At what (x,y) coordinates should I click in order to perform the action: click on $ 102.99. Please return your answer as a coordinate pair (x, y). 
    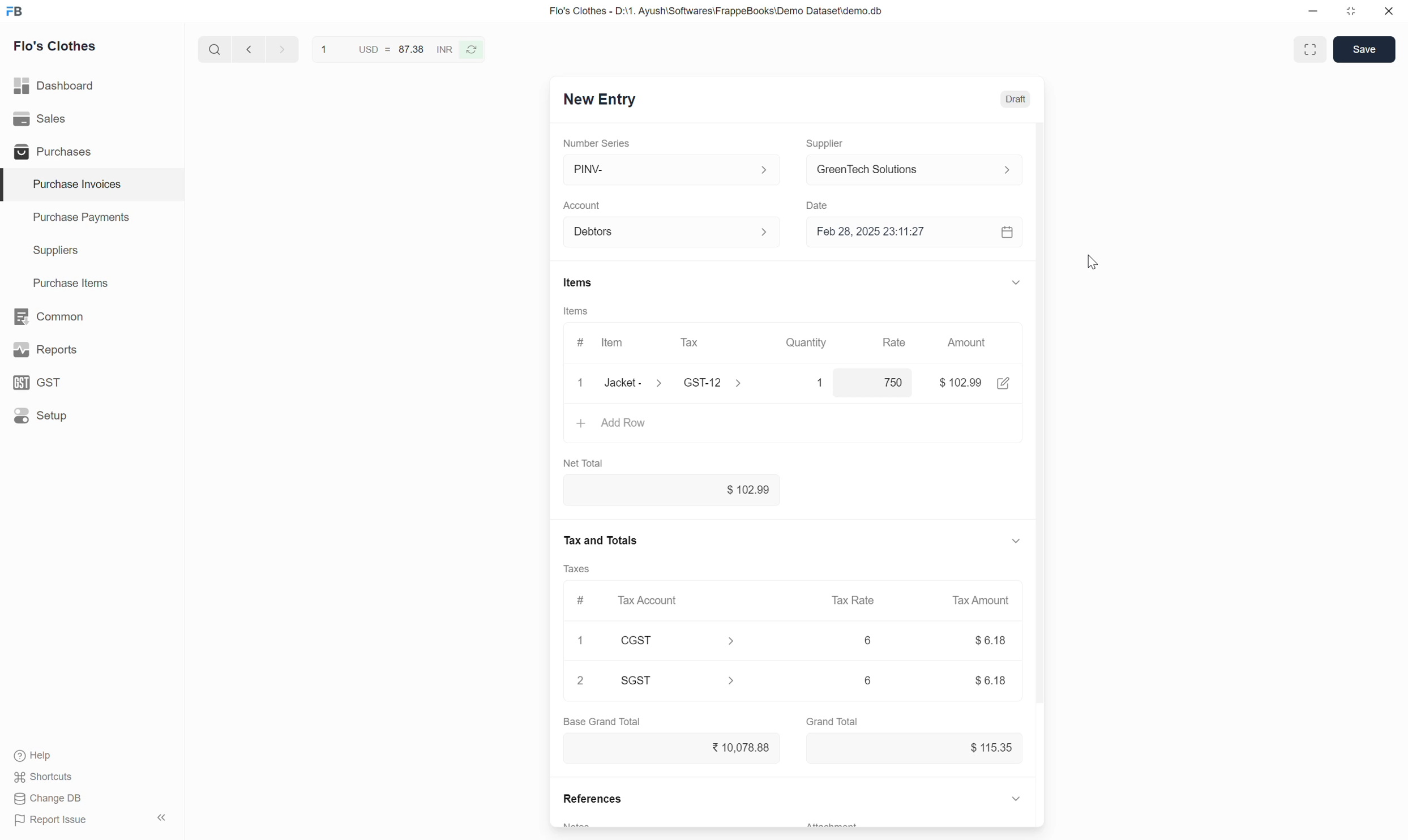
    Looking at the image, I should click on (960, 383).